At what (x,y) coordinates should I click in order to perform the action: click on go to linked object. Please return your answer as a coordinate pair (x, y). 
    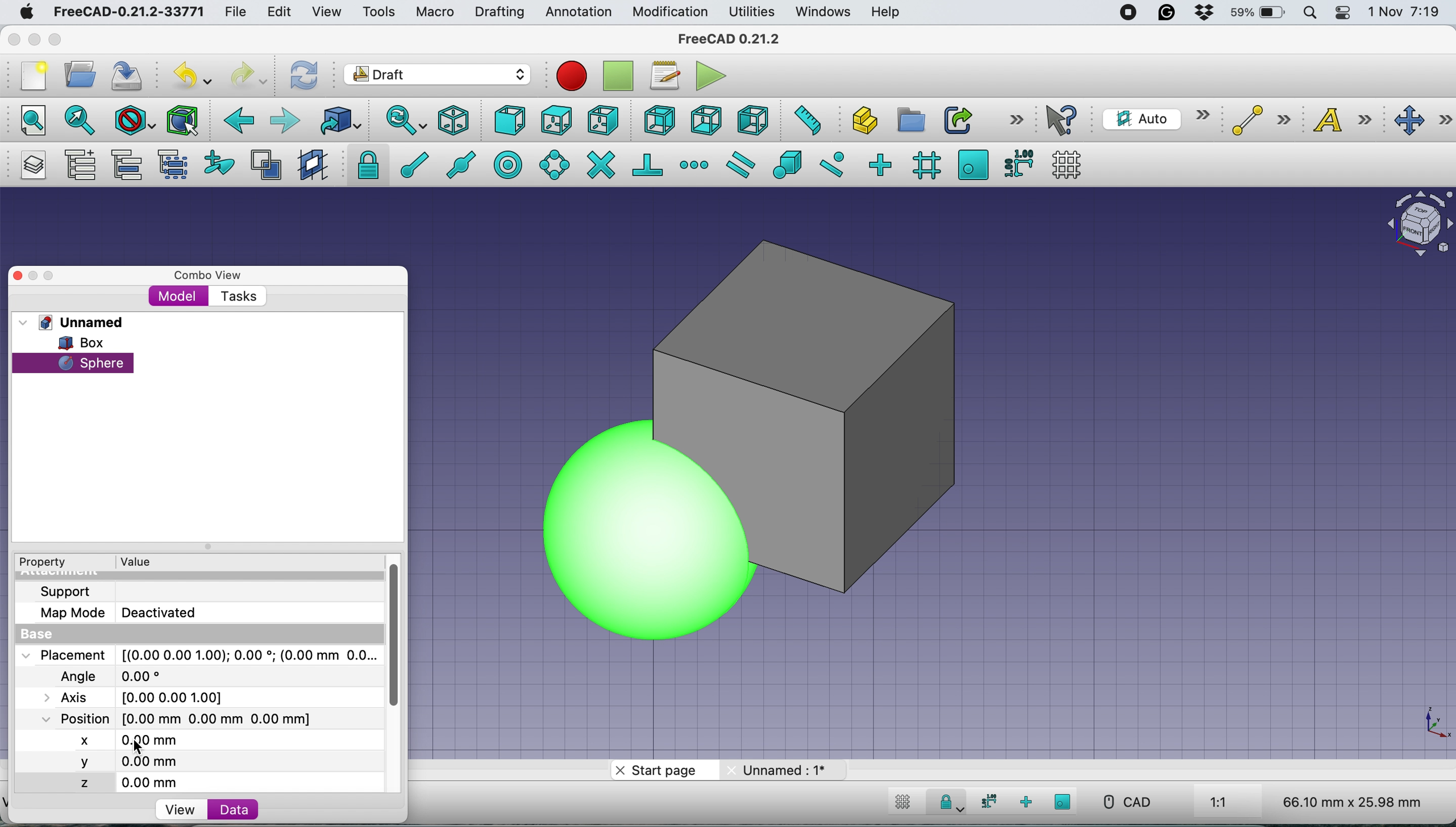
    Looking at the image, I should click on (340, 120).